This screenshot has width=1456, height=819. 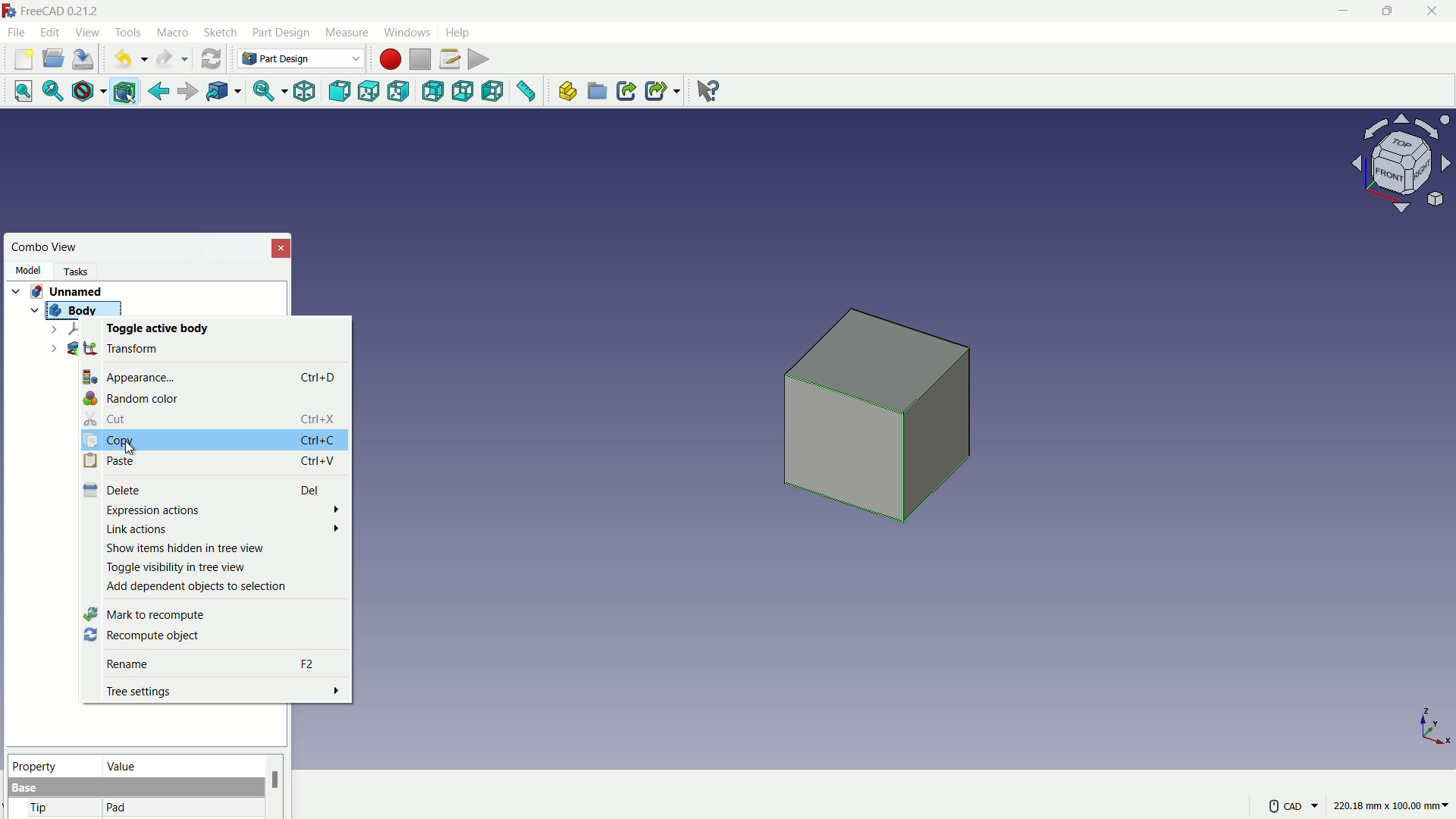 I want to click on fit selection, so click(x=49, y=92).